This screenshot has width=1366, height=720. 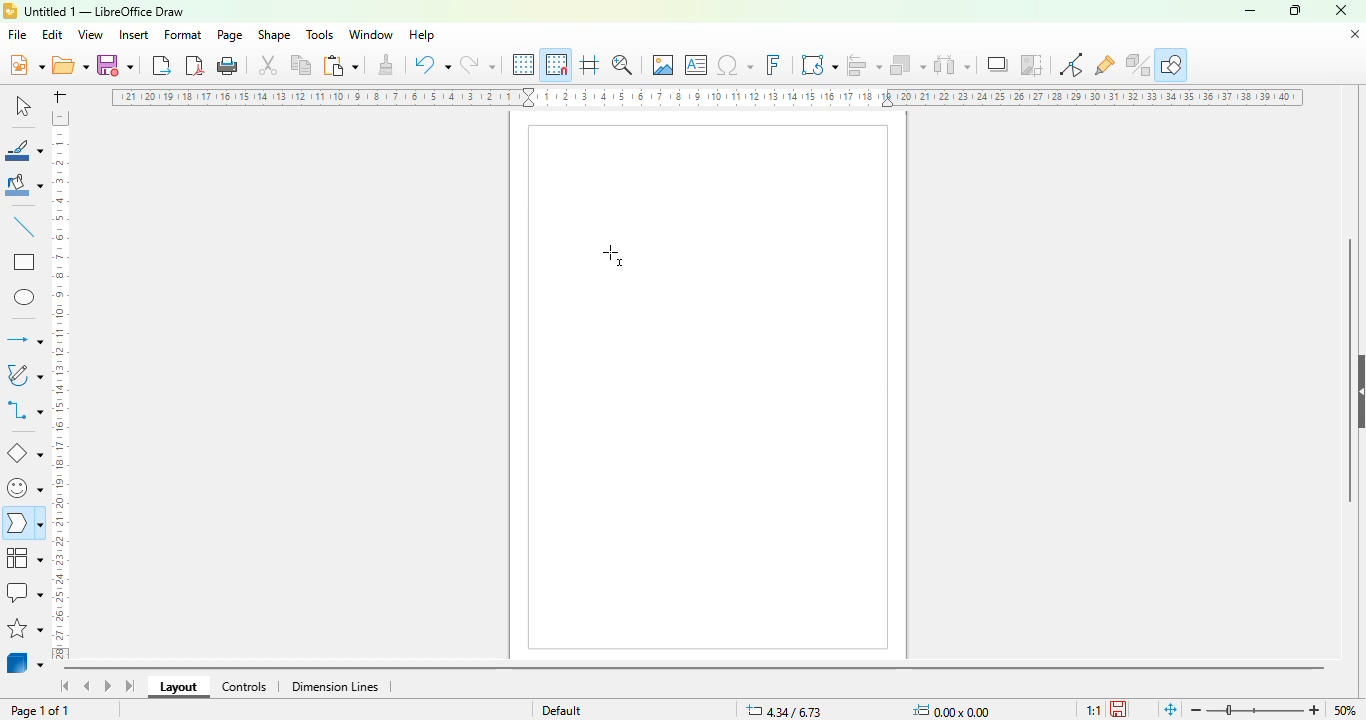 I want to click on edit, so click(x=52, y=35).